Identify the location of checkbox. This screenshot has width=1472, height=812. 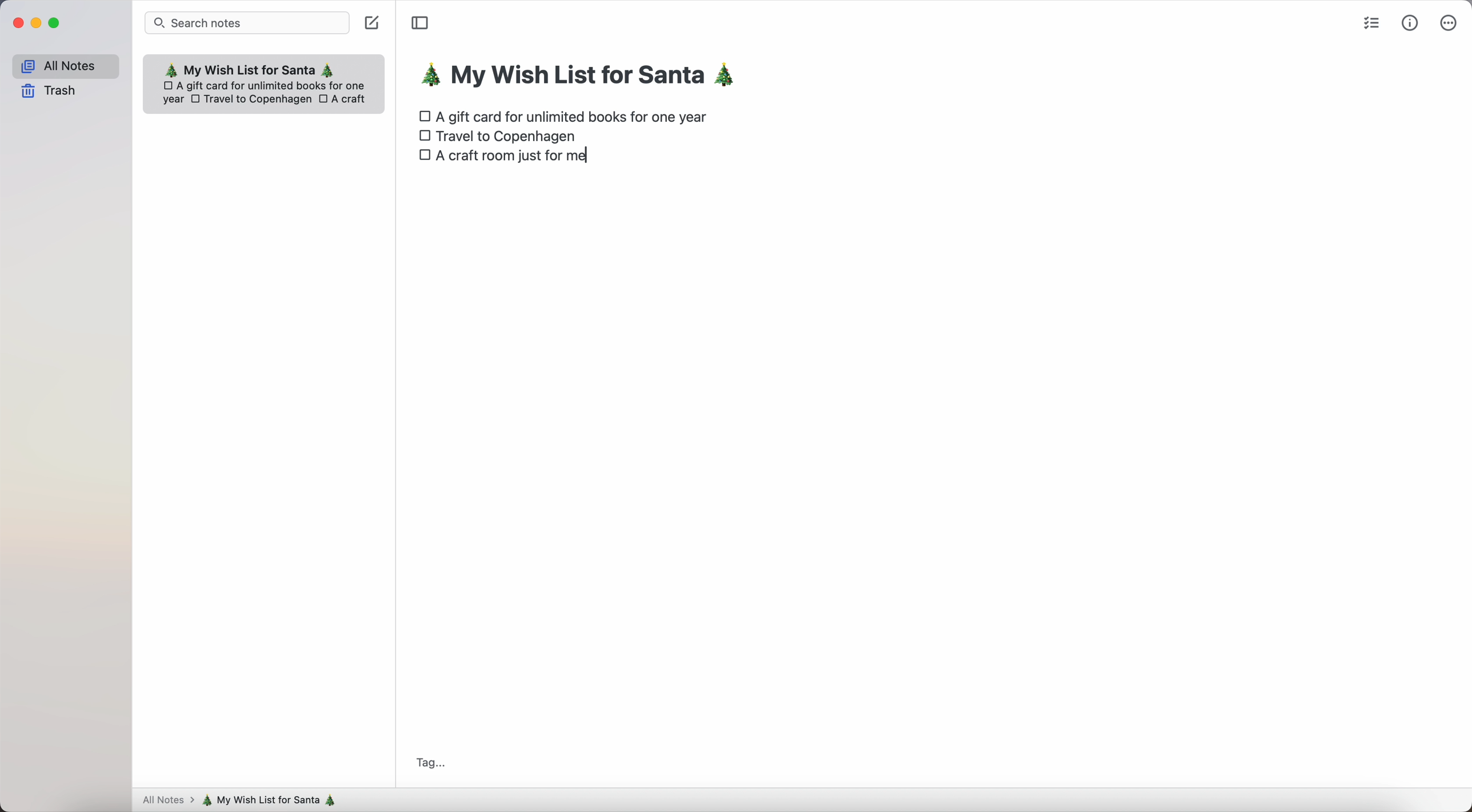
(422, 114).